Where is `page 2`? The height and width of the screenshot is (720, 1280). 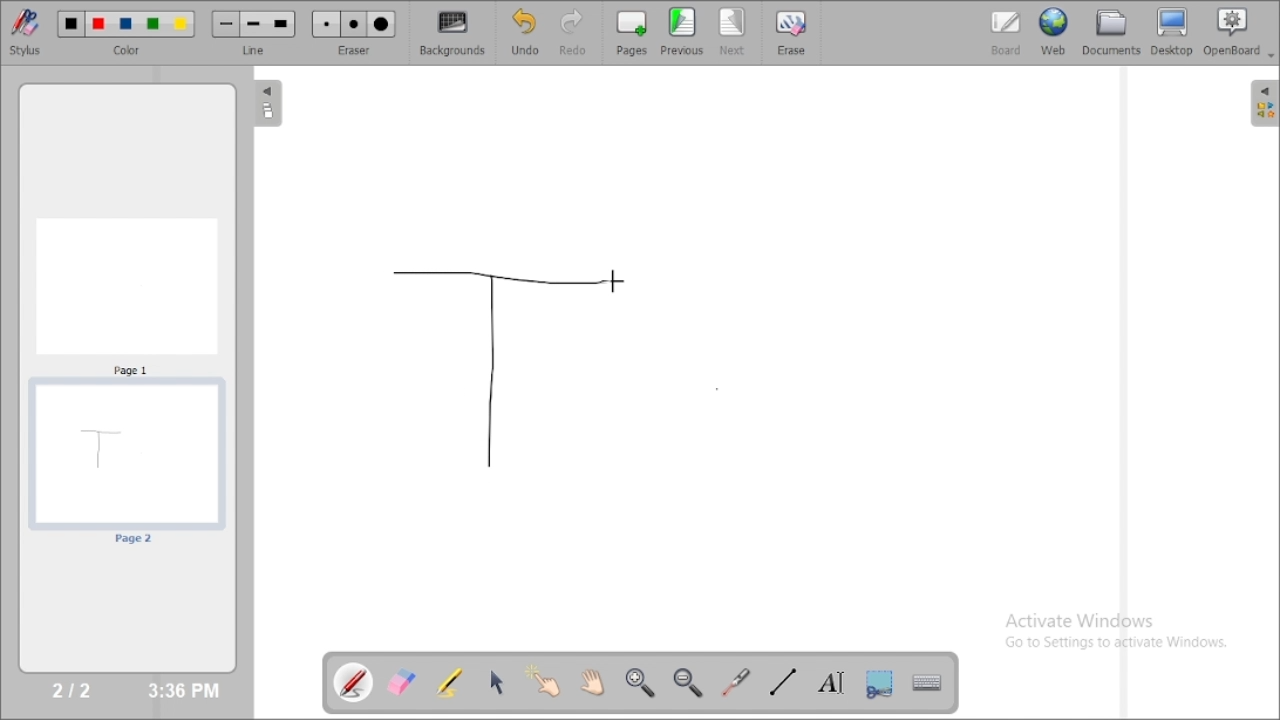
page 2 is located at coordinates (126, 464).